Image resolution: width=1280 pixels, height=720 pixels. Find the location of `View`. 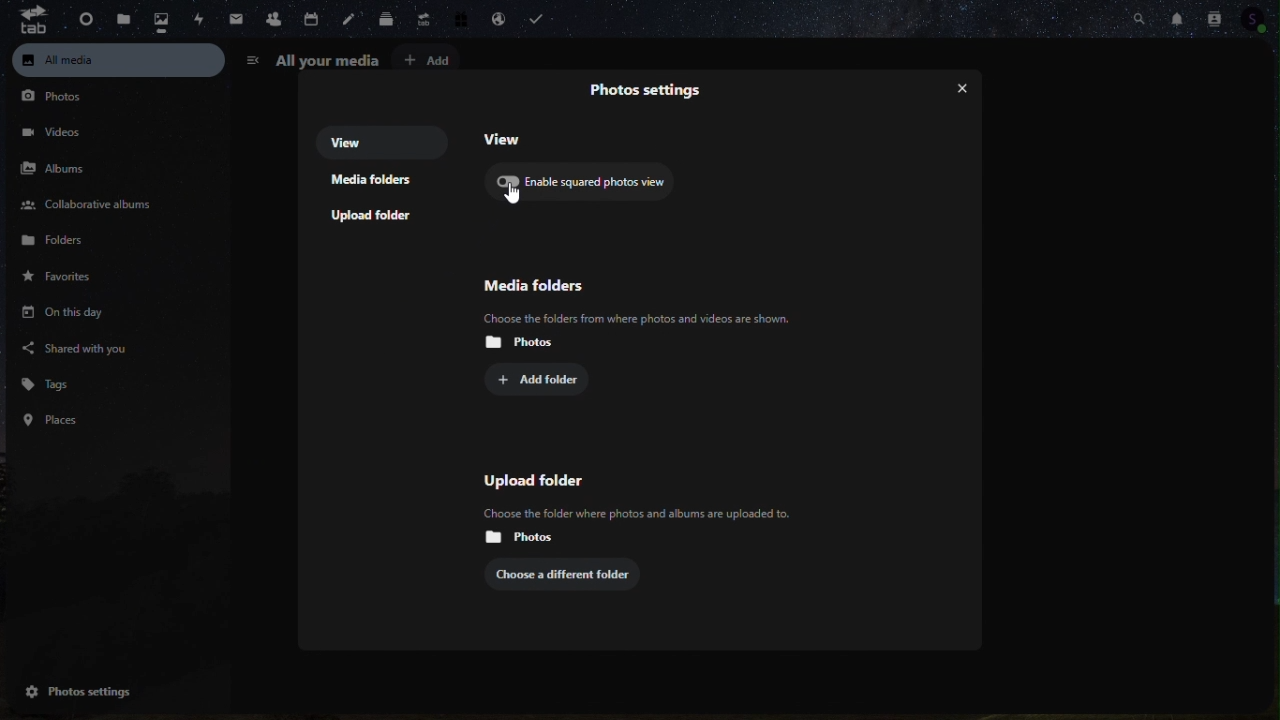

View is located at coordinates (508, 139).